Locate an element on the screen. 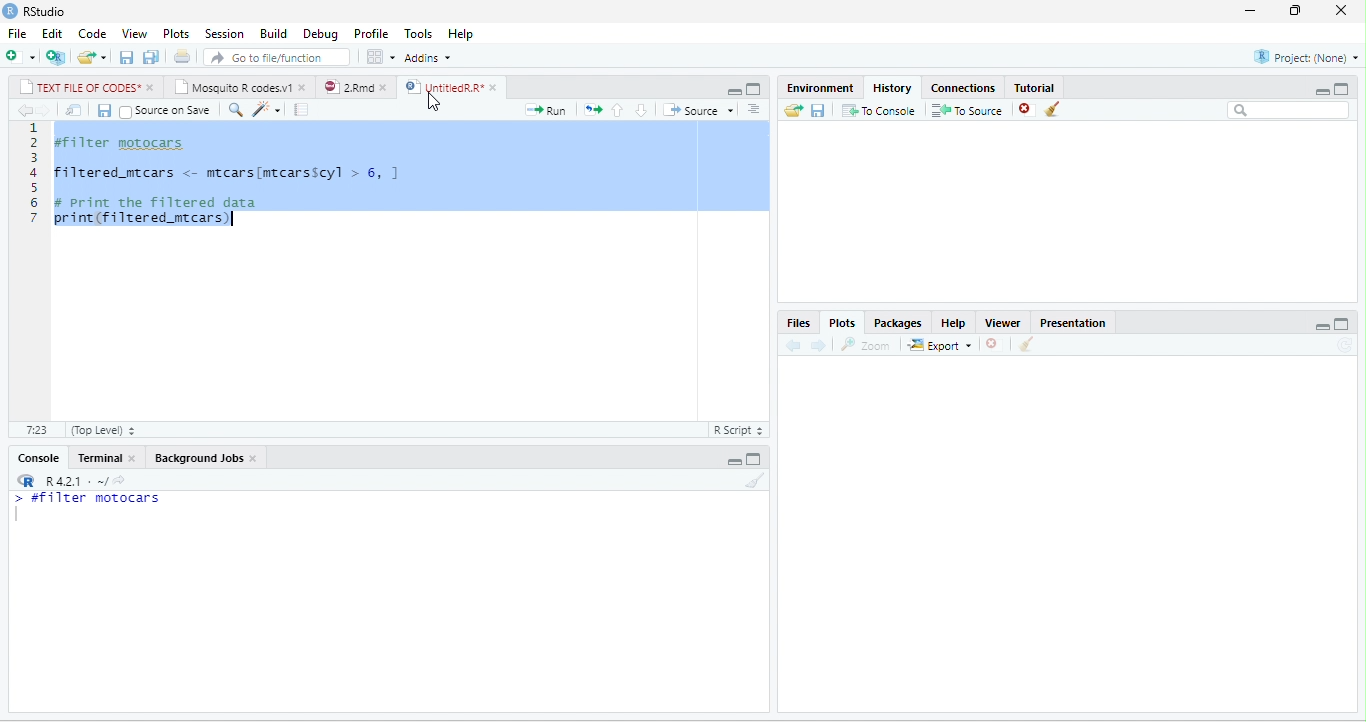 Image resolution: width=1366 pixels, height=722 pixels. save is located at coordinates (126, 58).